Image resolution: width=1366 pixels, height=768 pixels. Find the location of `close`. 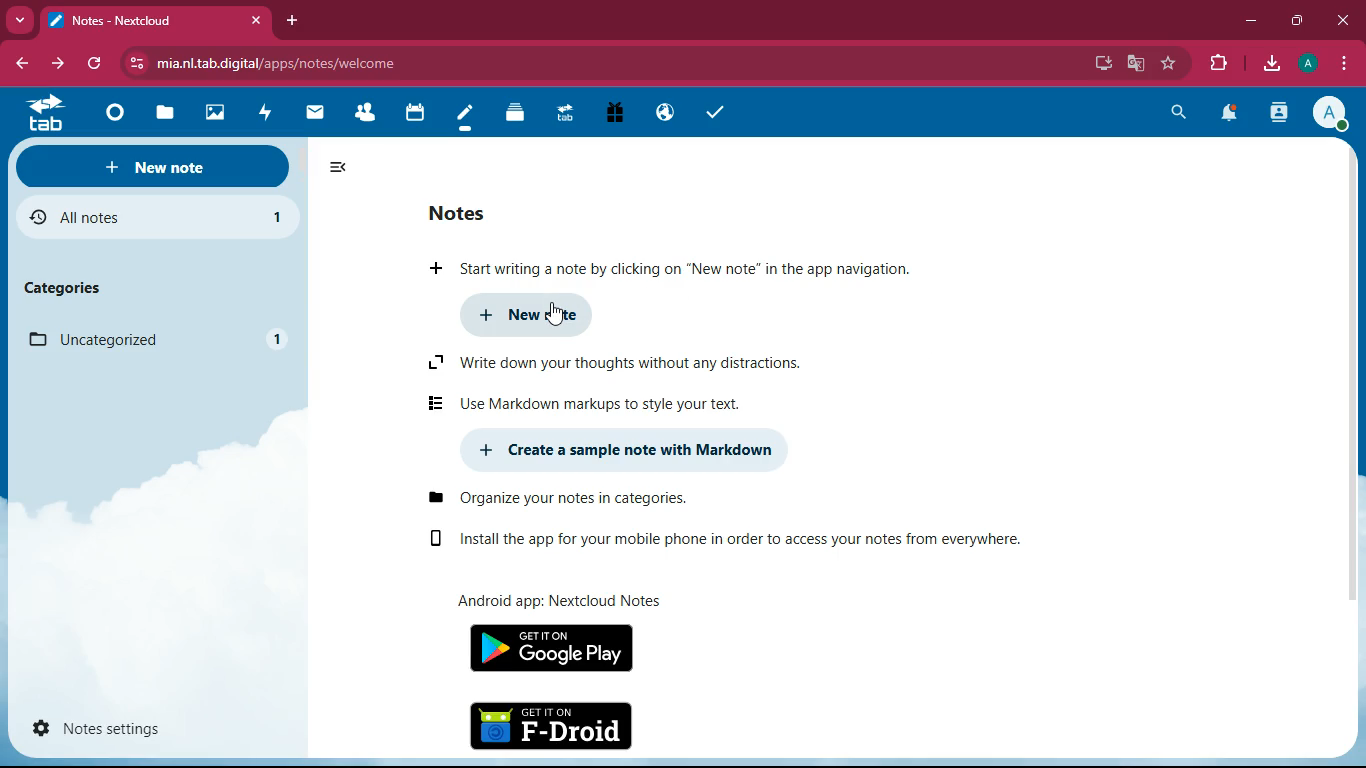

close is located at coordinates (1341, 20).